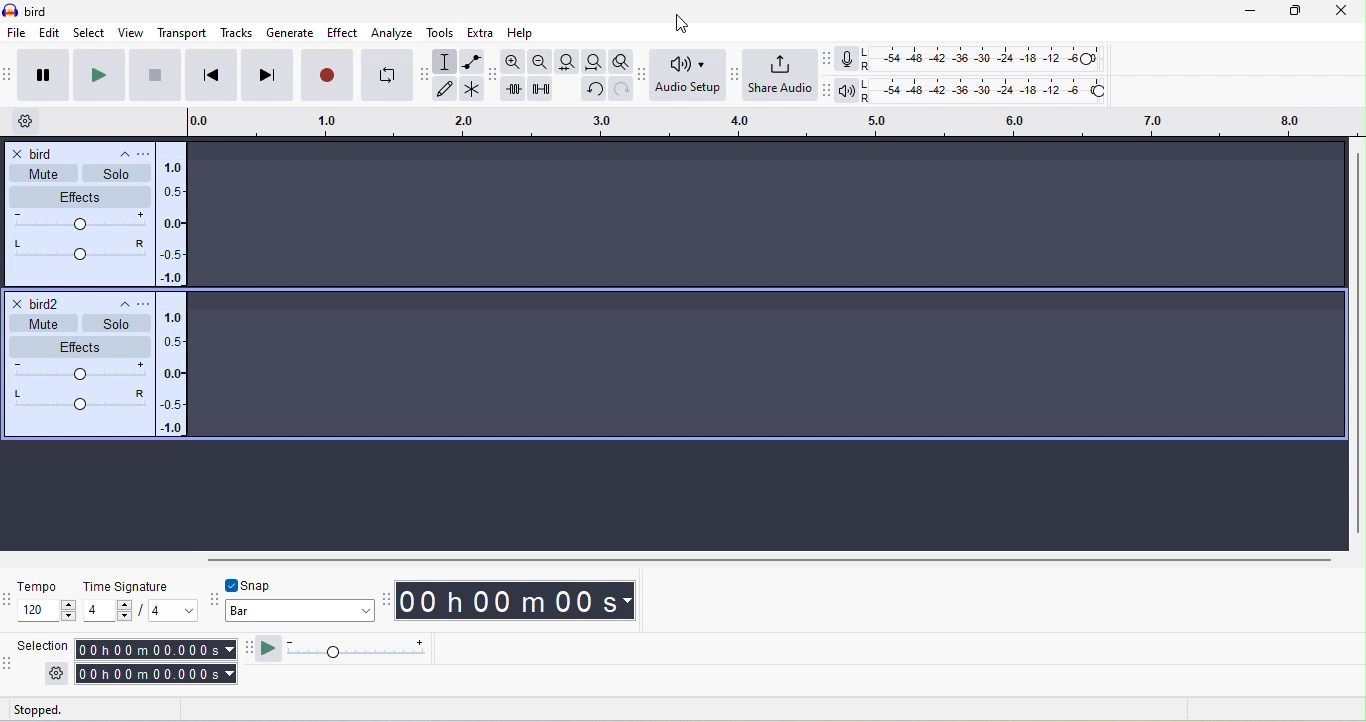  I want to click on stop, so click(155, 74).